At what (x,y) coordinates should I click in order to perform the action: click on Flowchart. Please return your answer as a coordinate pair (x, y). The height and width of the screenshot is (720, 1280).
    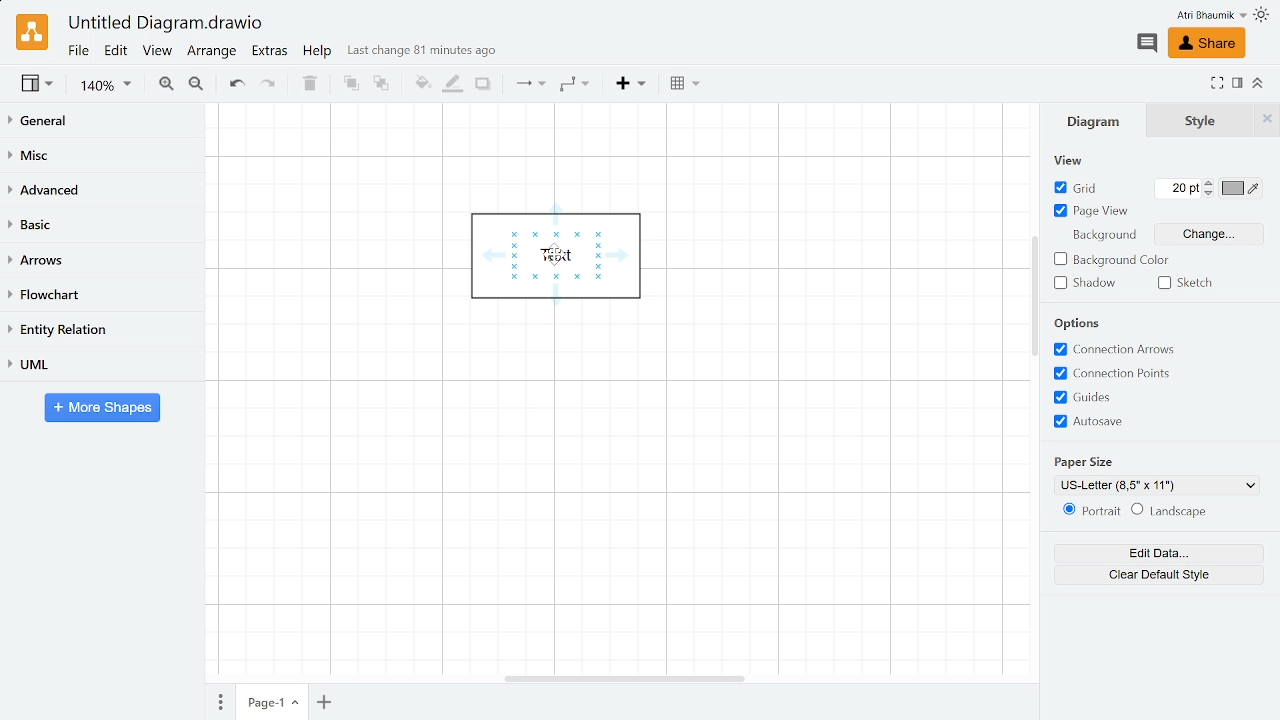
    Looking at the image, I should click on (98, 296).